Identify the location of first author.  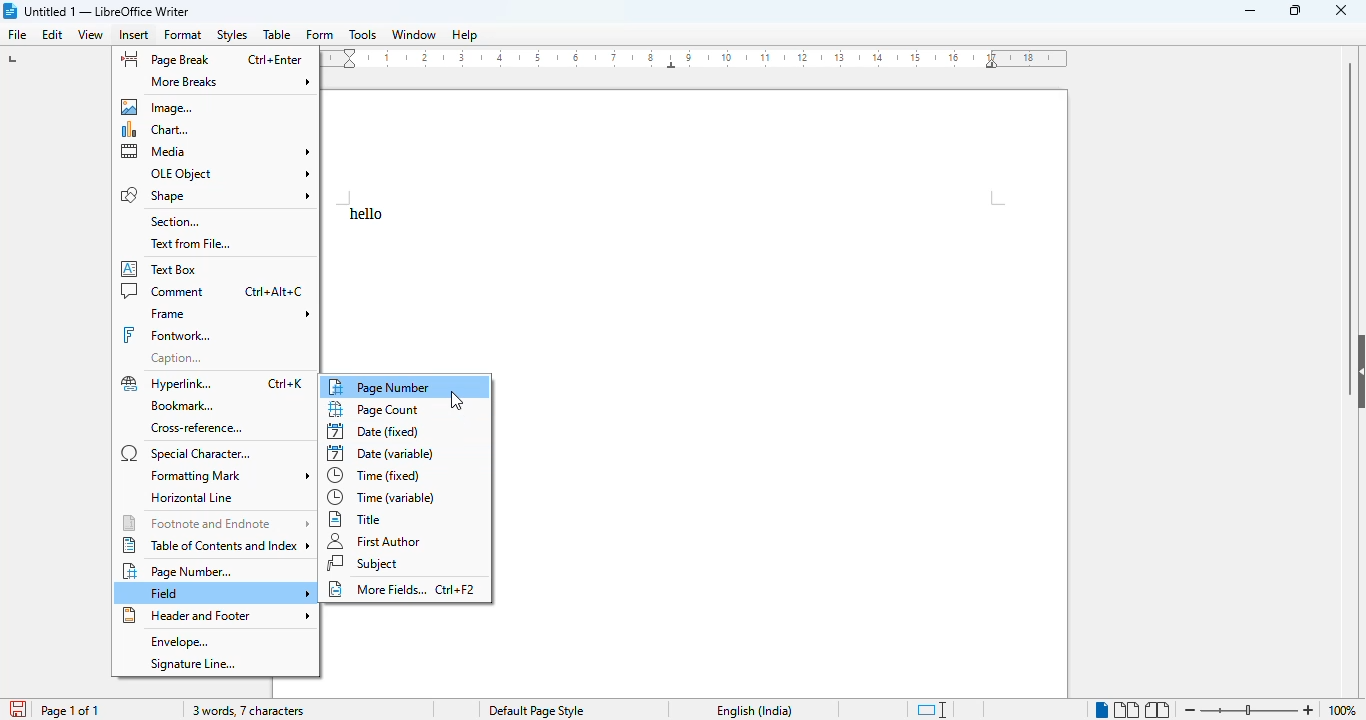
(377, 541).